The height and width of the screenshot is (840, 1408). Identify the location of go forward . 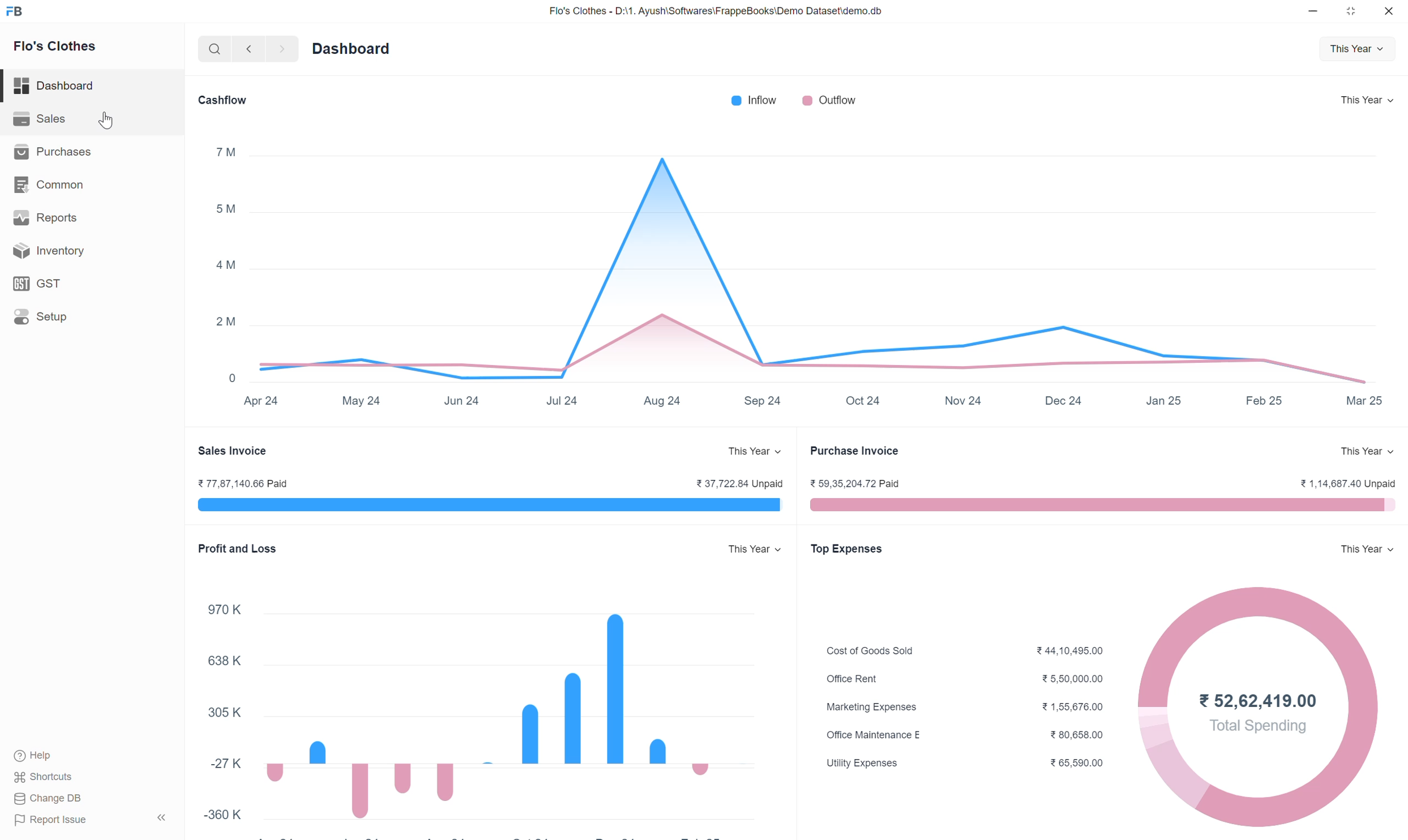
(279, 52).